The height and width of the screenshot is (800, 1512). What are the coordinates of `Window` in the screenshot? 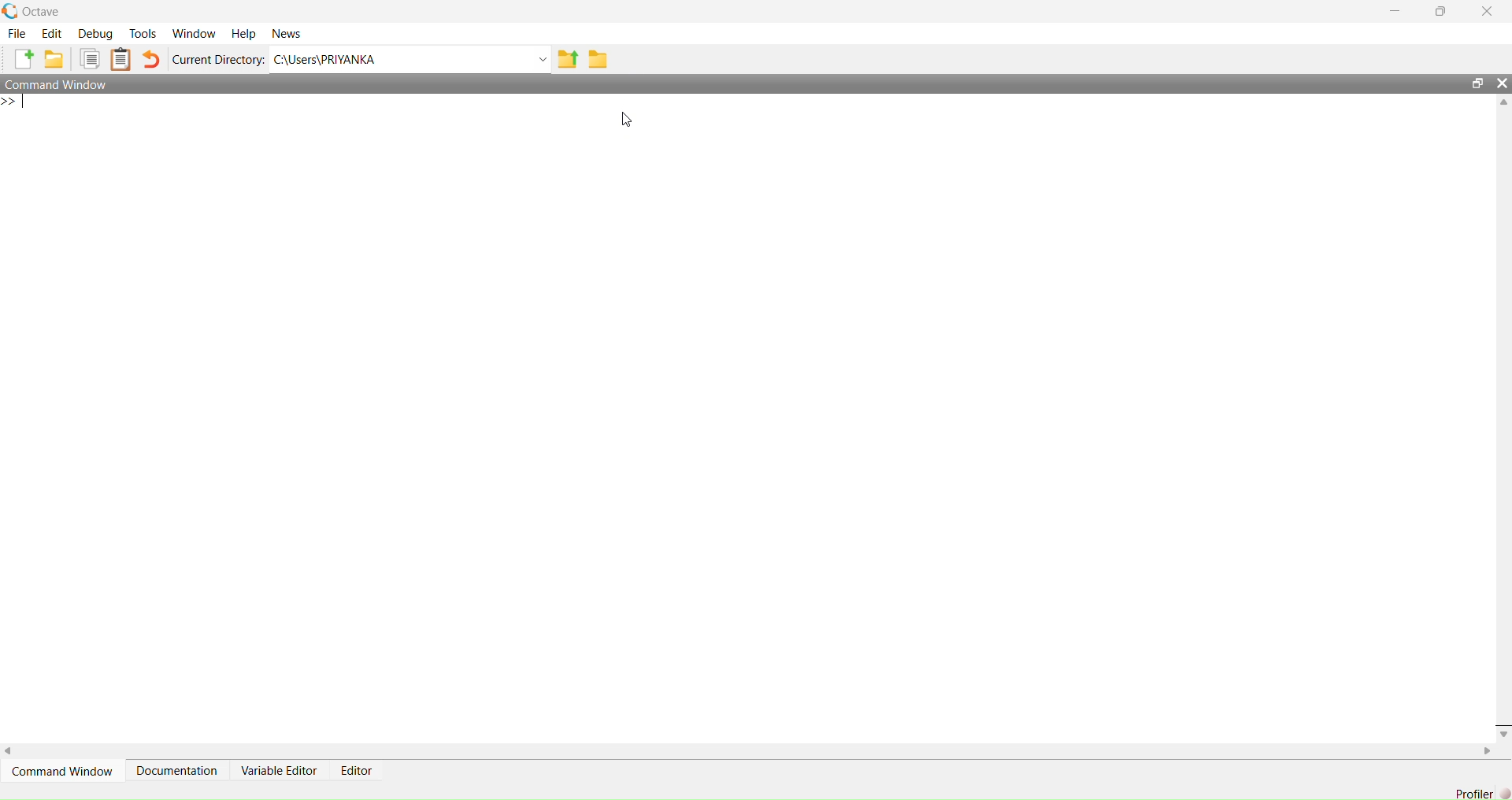 It's located at (194, 35).